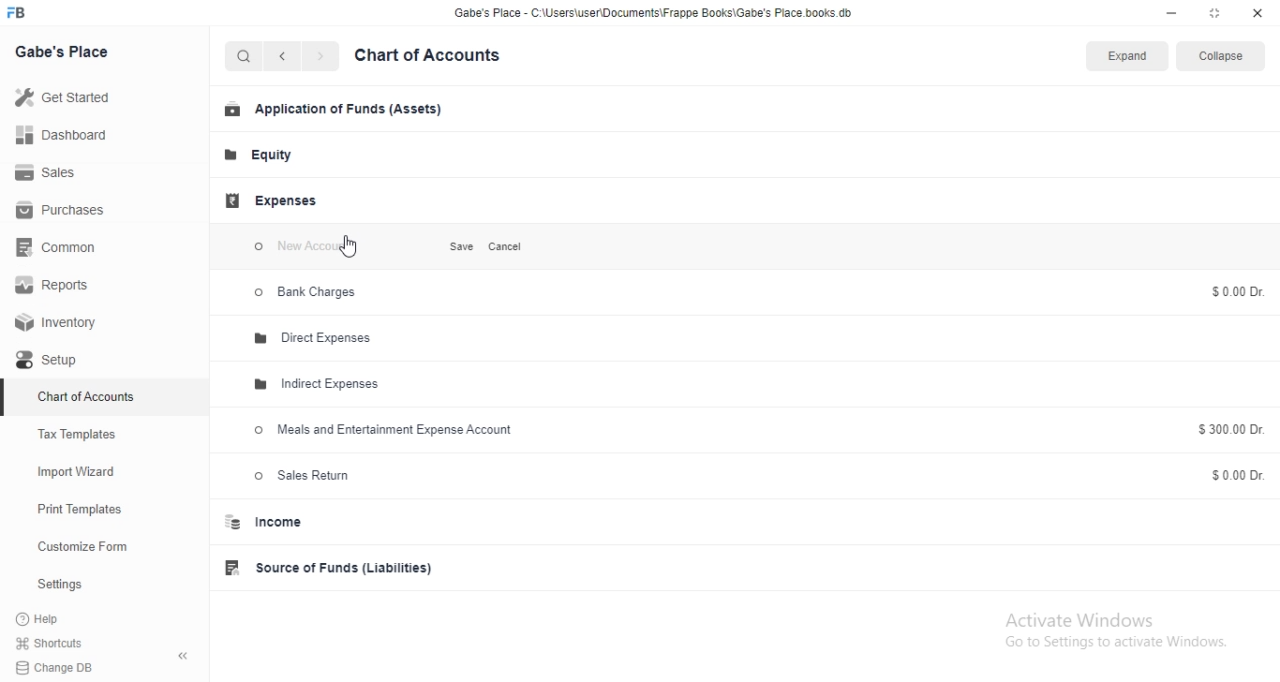 The image size is (1280, 682). What do you see at coordinates (390, 431) in the screenshot?
I see ` Meals and Entertainment Expense Account` at bounding box center [390, 431].